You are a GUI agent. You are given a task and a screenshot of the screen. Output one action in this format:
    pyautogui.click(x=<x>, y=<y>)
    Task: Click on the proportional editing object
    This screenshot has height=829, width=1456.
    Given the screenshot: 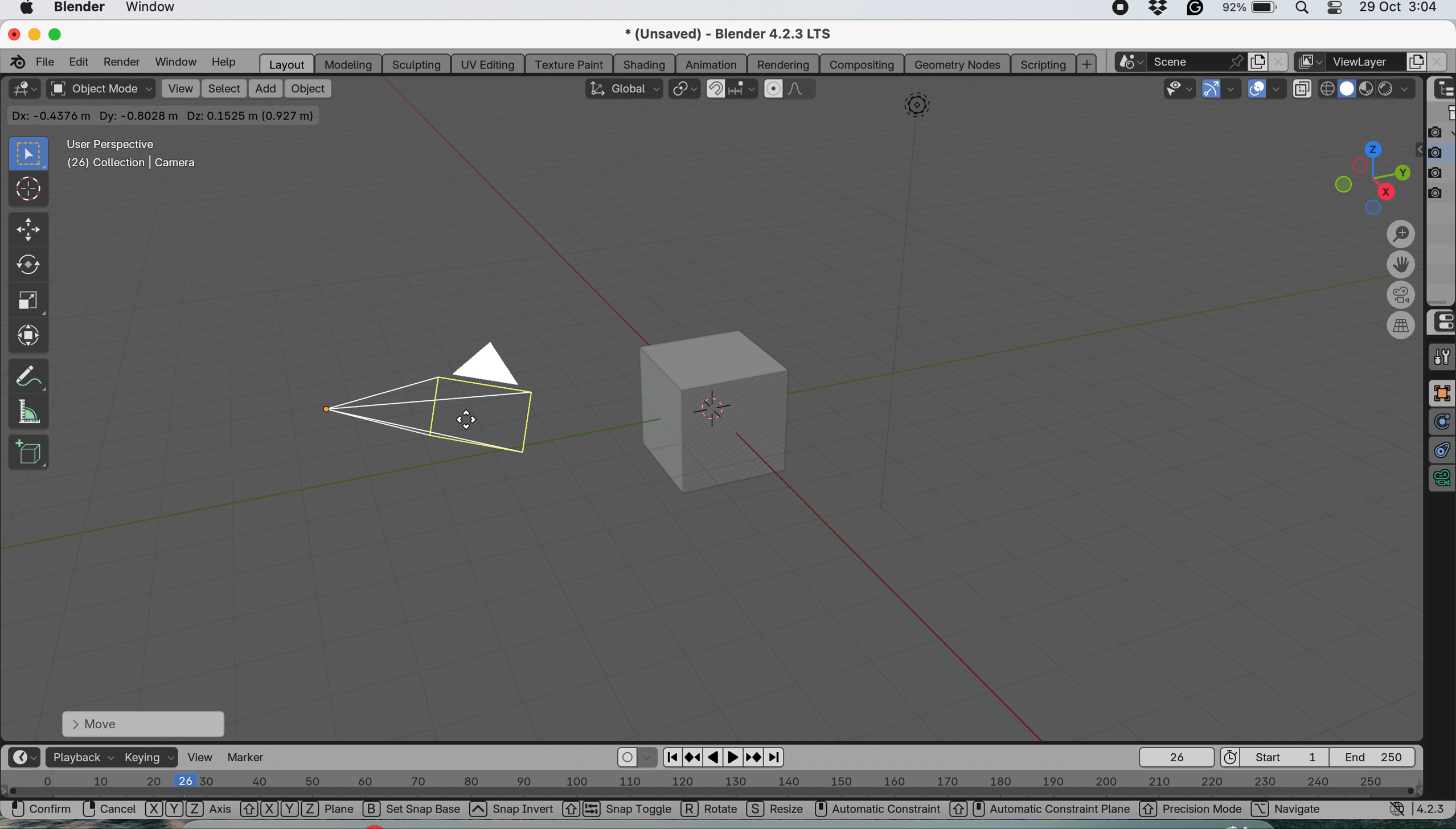 What is the action you would take?
    pyautogui.click(x=775, y=89)
    